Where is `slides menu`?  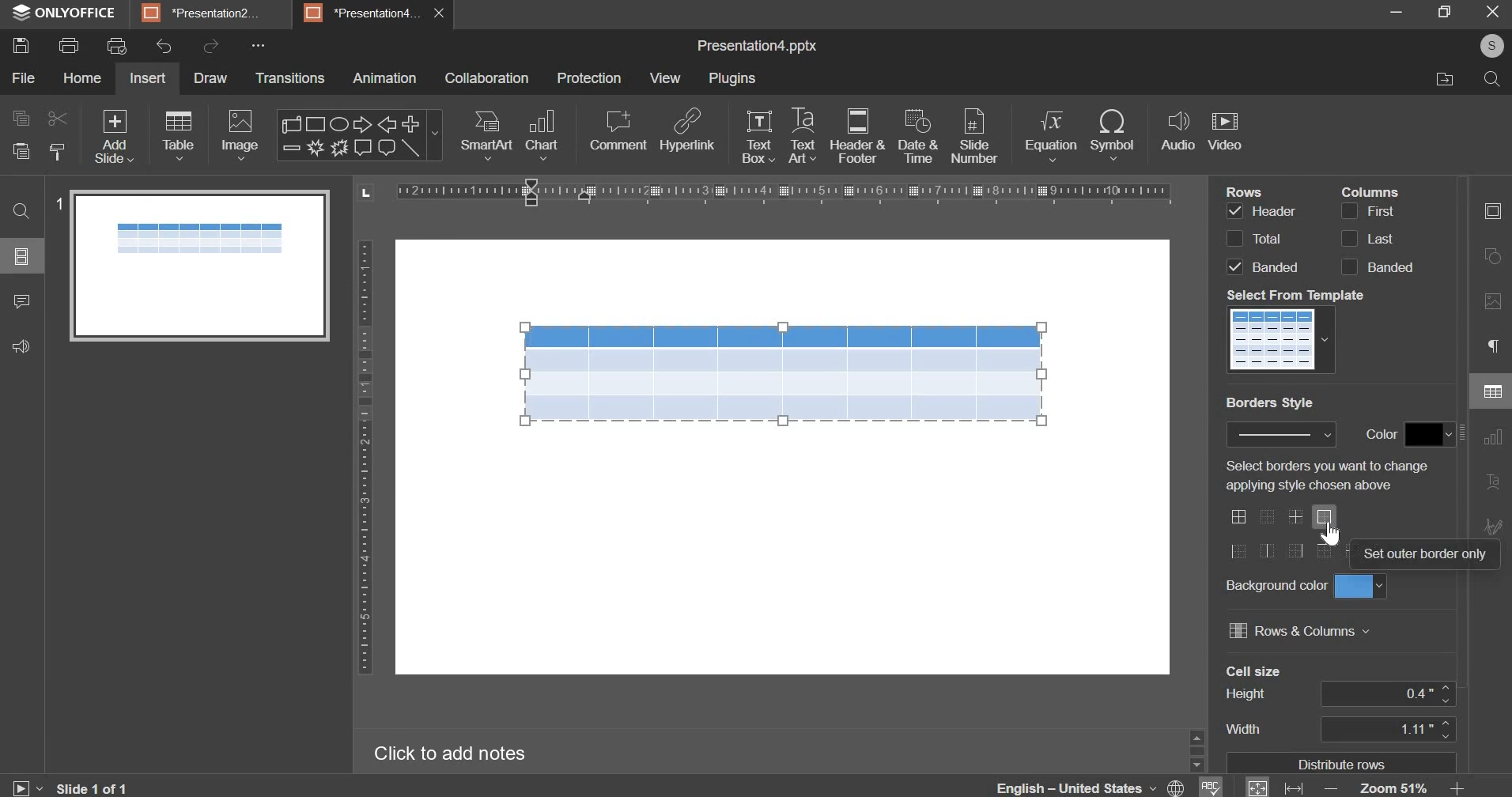 slides menu is located at coordinates (22, 256).